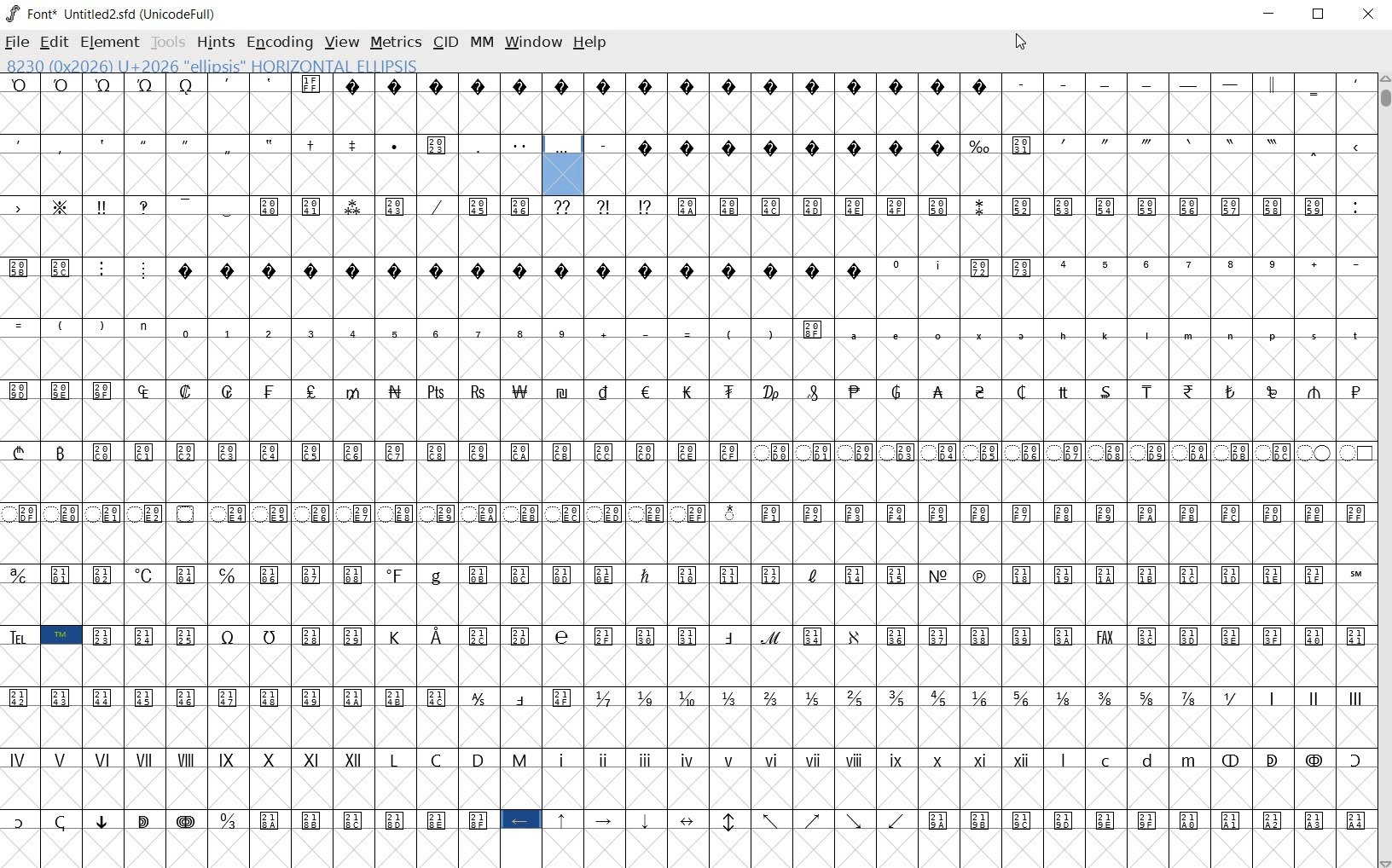  I want to click on 8230 (0x2026) U+2026 "ELLIPSIS" HORIZONTAL ELLIPSIS, so click(270, 65).